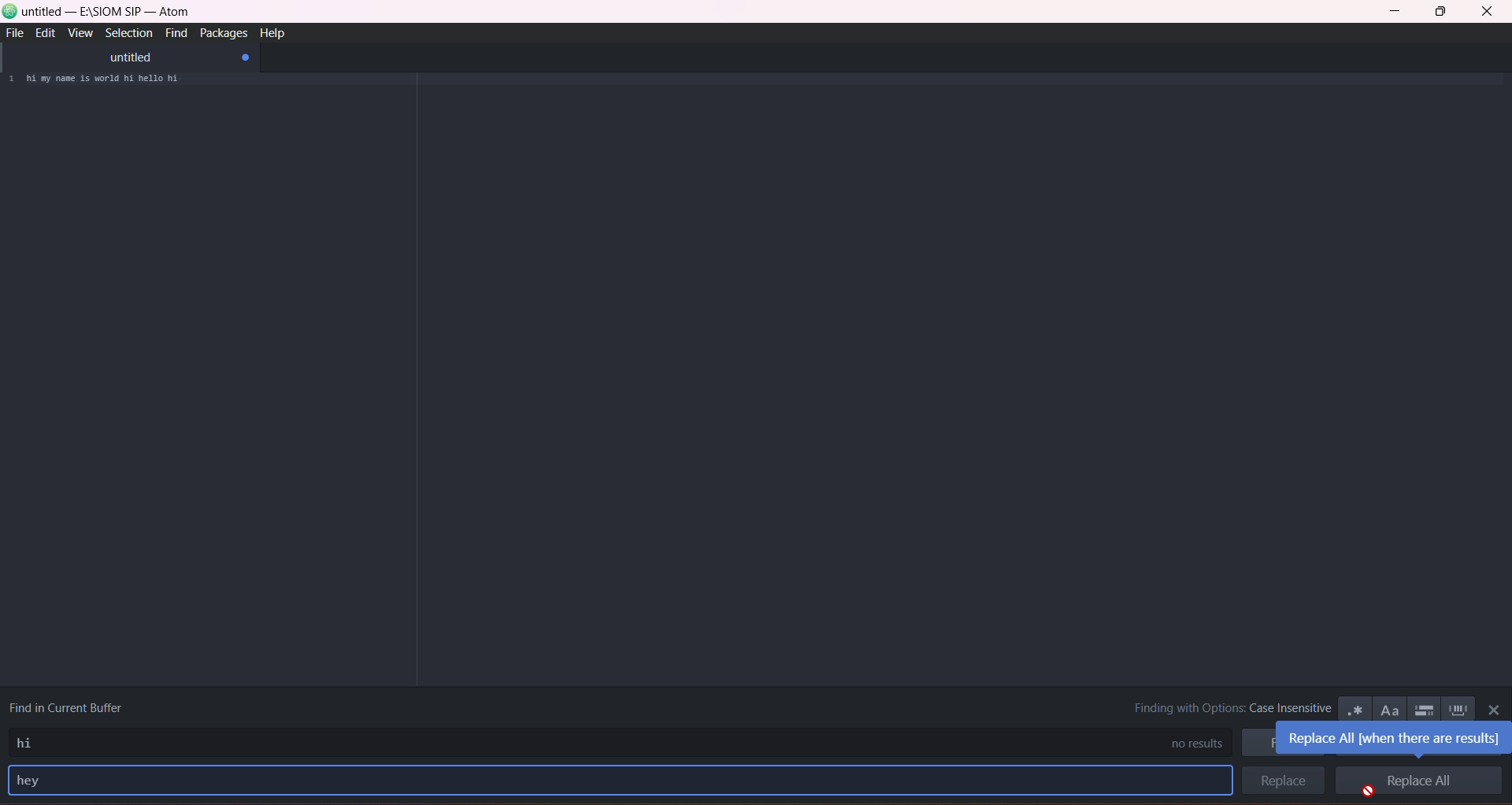 The height and width of the screenshot is (805, 1512). I want to click on only in selection, so click(1421, 707).